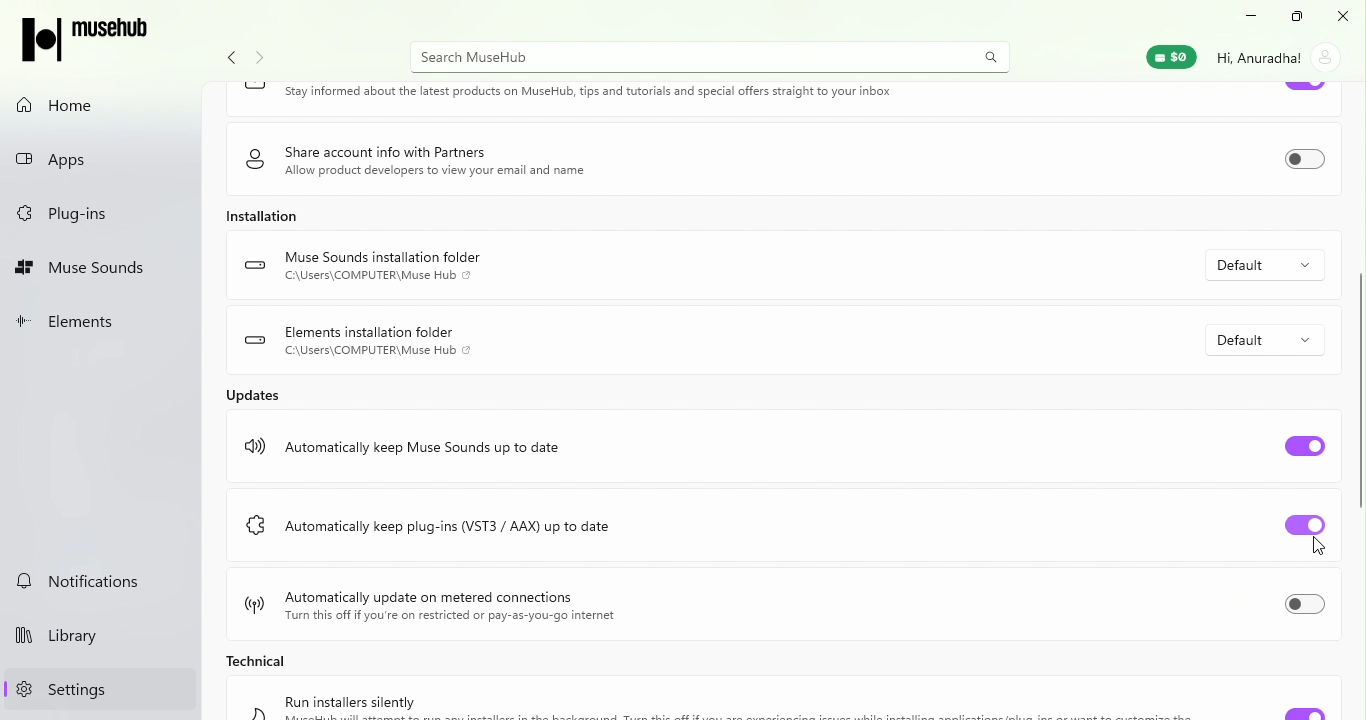  Describe the element at coordinates (1304, 160) in the screenshot. I see `Toggle` at that location.